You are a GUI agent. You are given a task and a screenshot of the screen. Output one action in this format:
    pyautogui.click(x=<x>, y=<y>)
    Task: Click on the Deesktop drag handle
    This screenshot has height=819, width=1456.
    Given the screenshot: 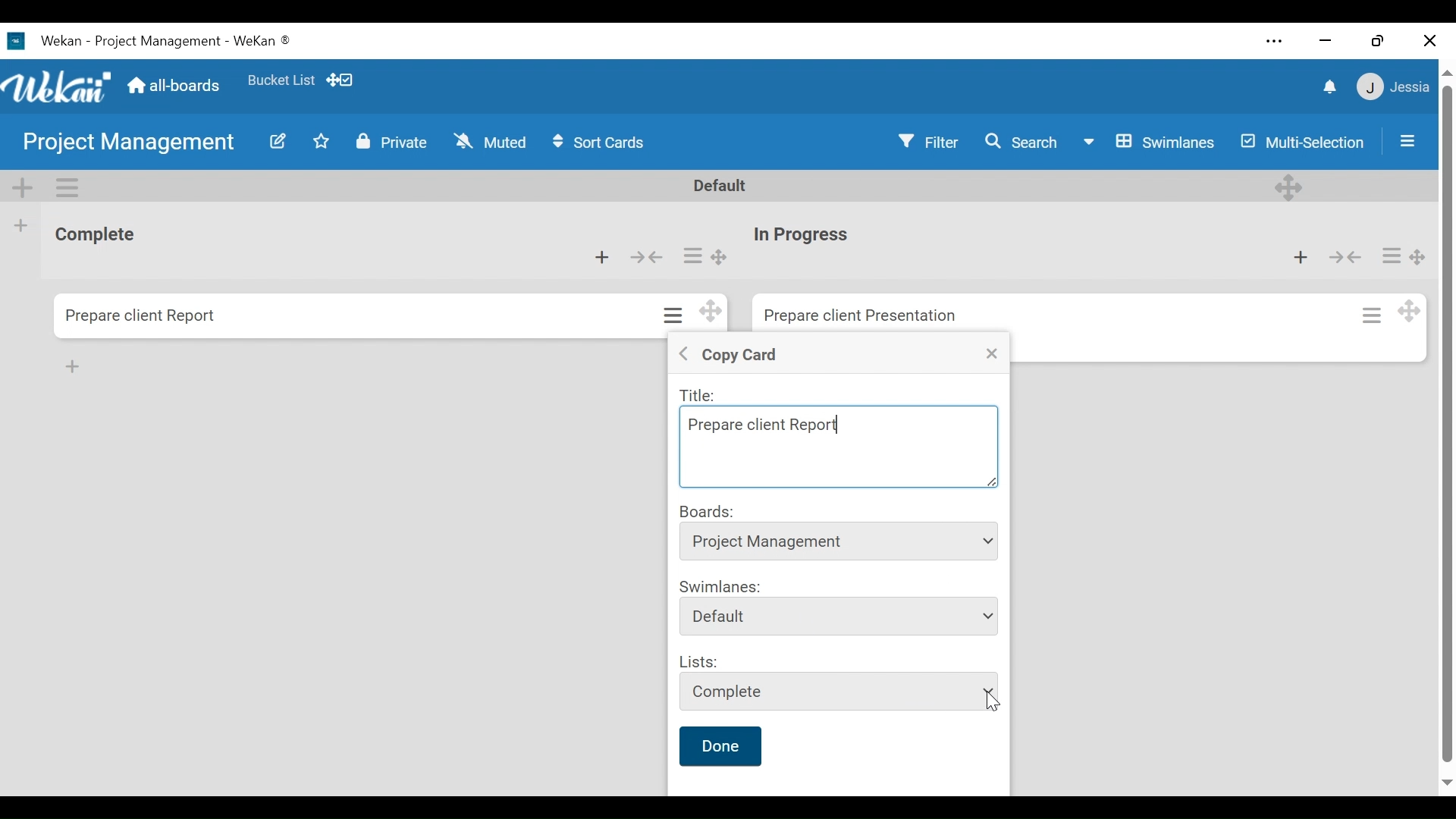 What is the action you would take?
    pyautogui.click(x=1289, y=187)
    